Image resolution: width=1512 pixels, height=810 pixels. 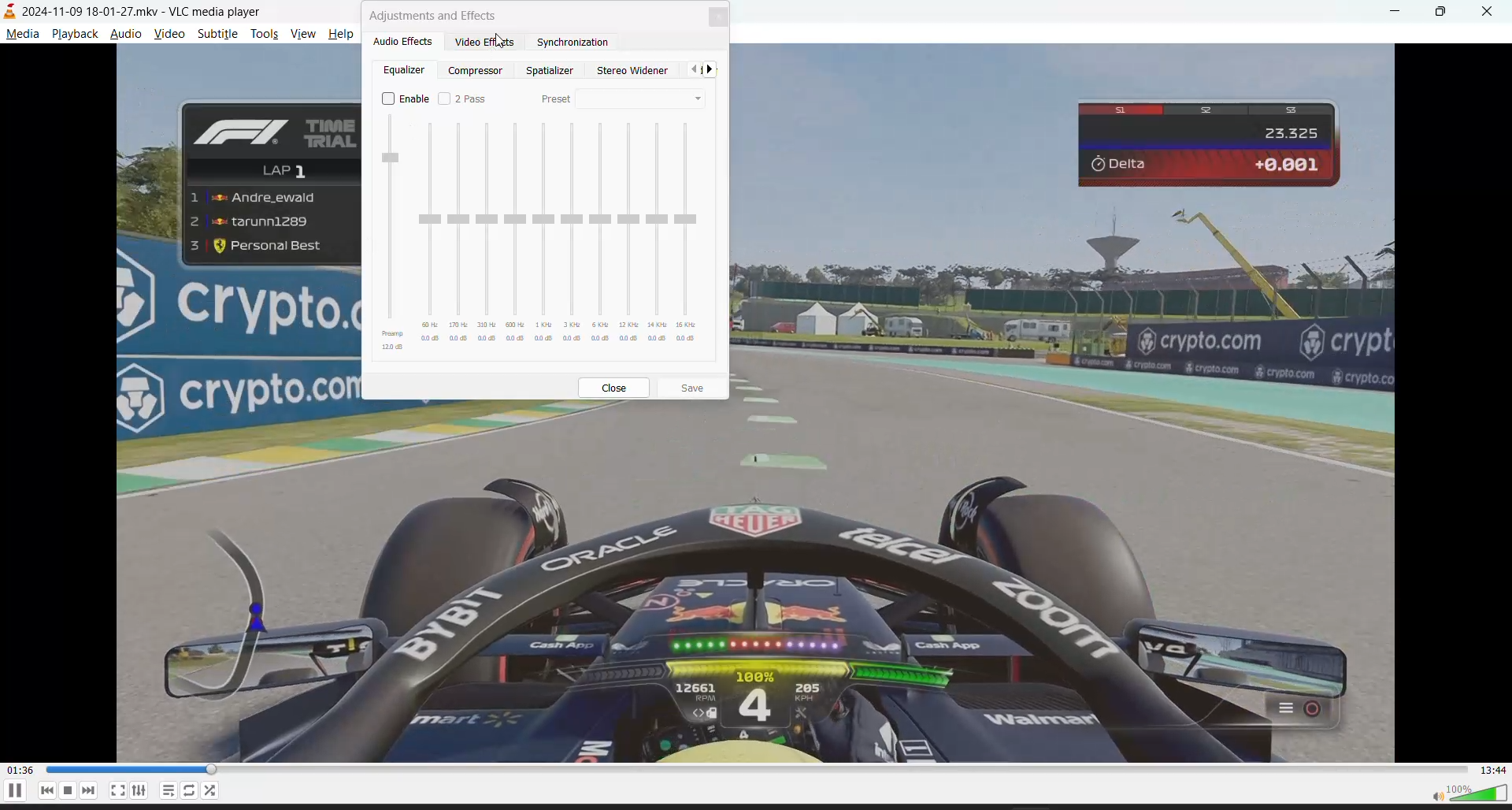 What do you see at coordinates (23, 34) in the screenshot?
I see `media` at bounding box center [23, 34].